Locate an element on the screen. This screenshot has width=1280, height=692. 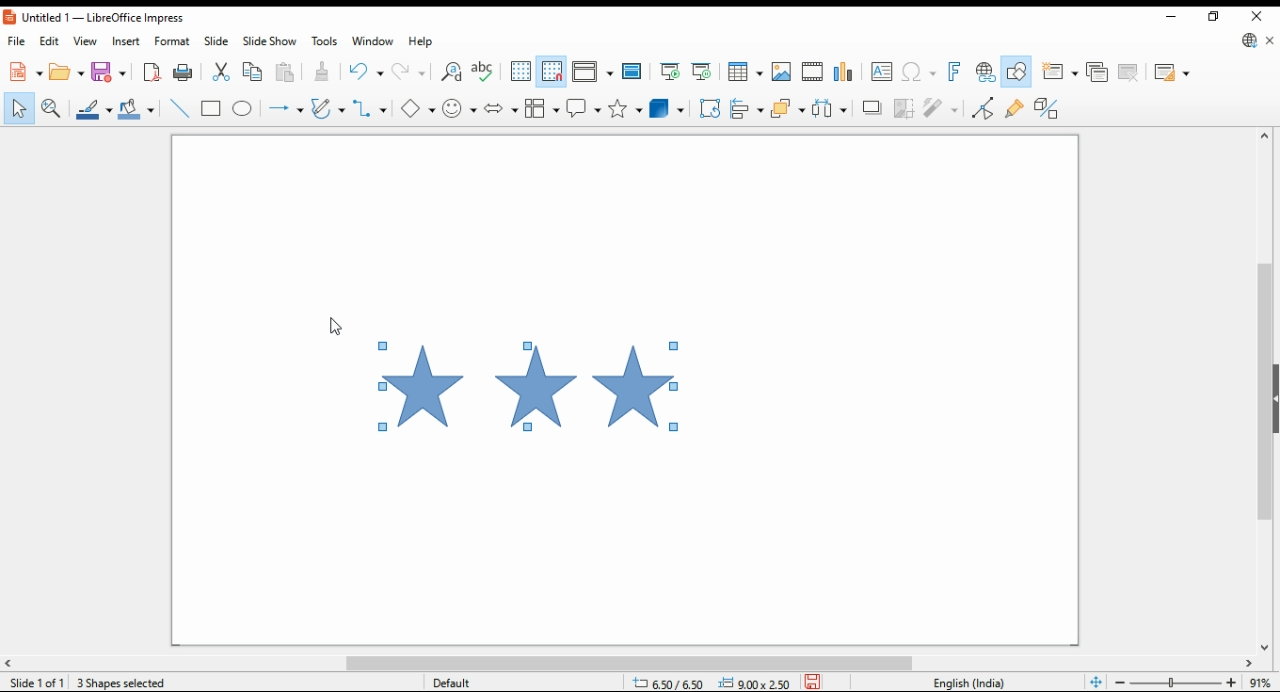
insert is located at coordinates (125, 41).